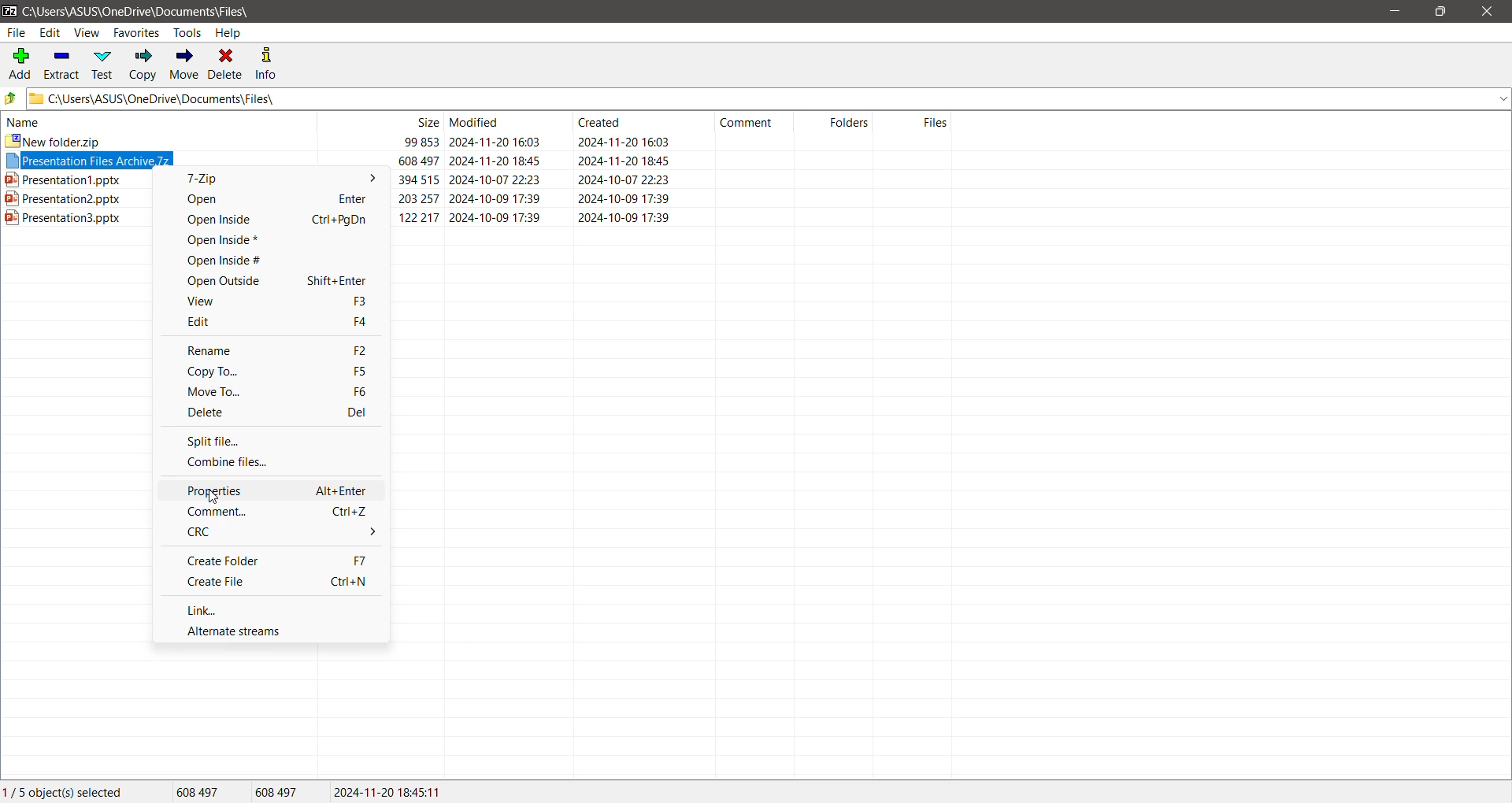  I want to click on Add, so click(19, 63).